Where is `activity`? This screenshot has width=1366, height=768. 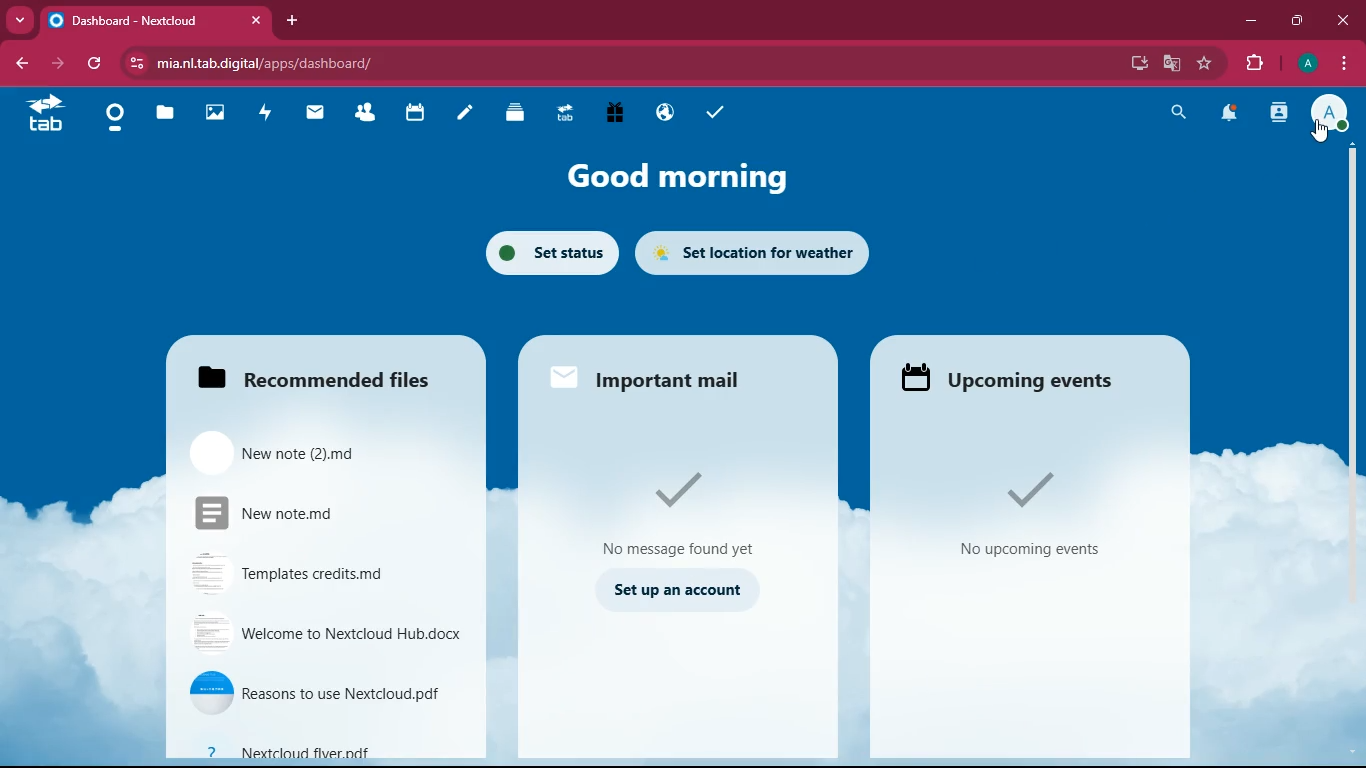 activity is located at coordinates (1281, 112).